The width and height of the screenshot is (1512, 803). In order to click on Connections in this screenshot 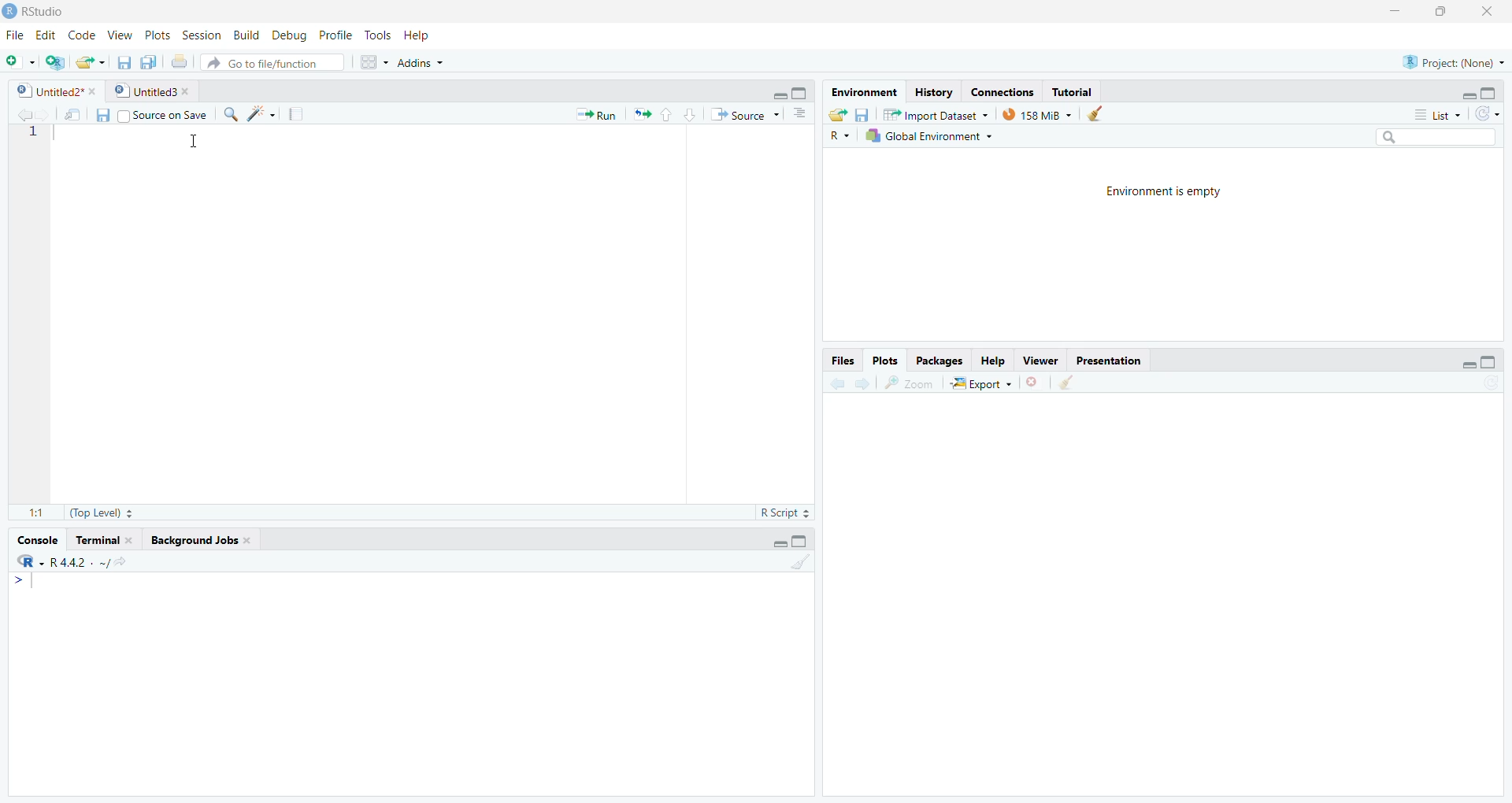, I will do `click(999, 91)`.